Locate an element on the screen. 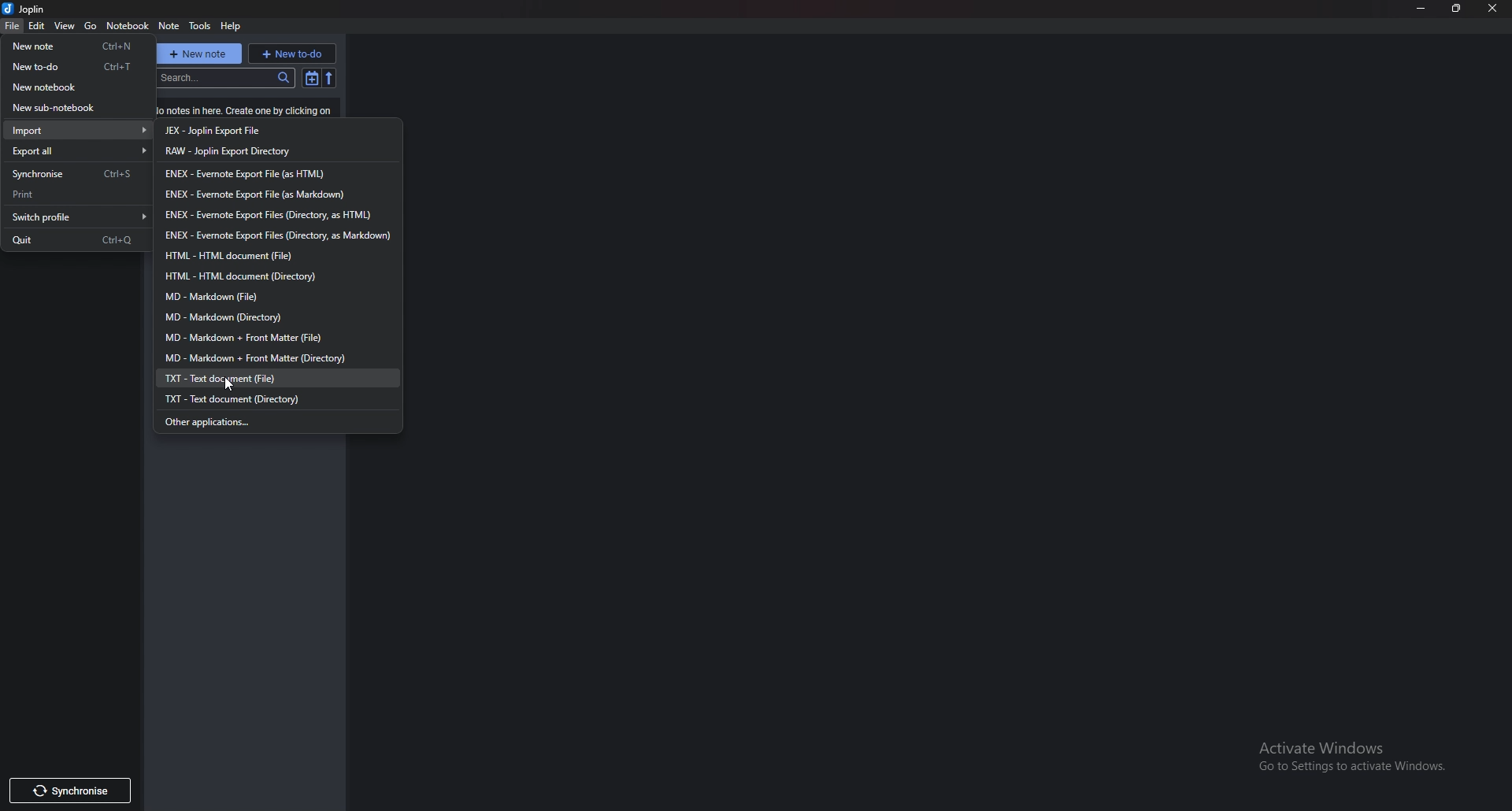 Image resolution: width=1512 pixels, height=811 pixels. enex directory markdown is located at coordinates (276, 236).